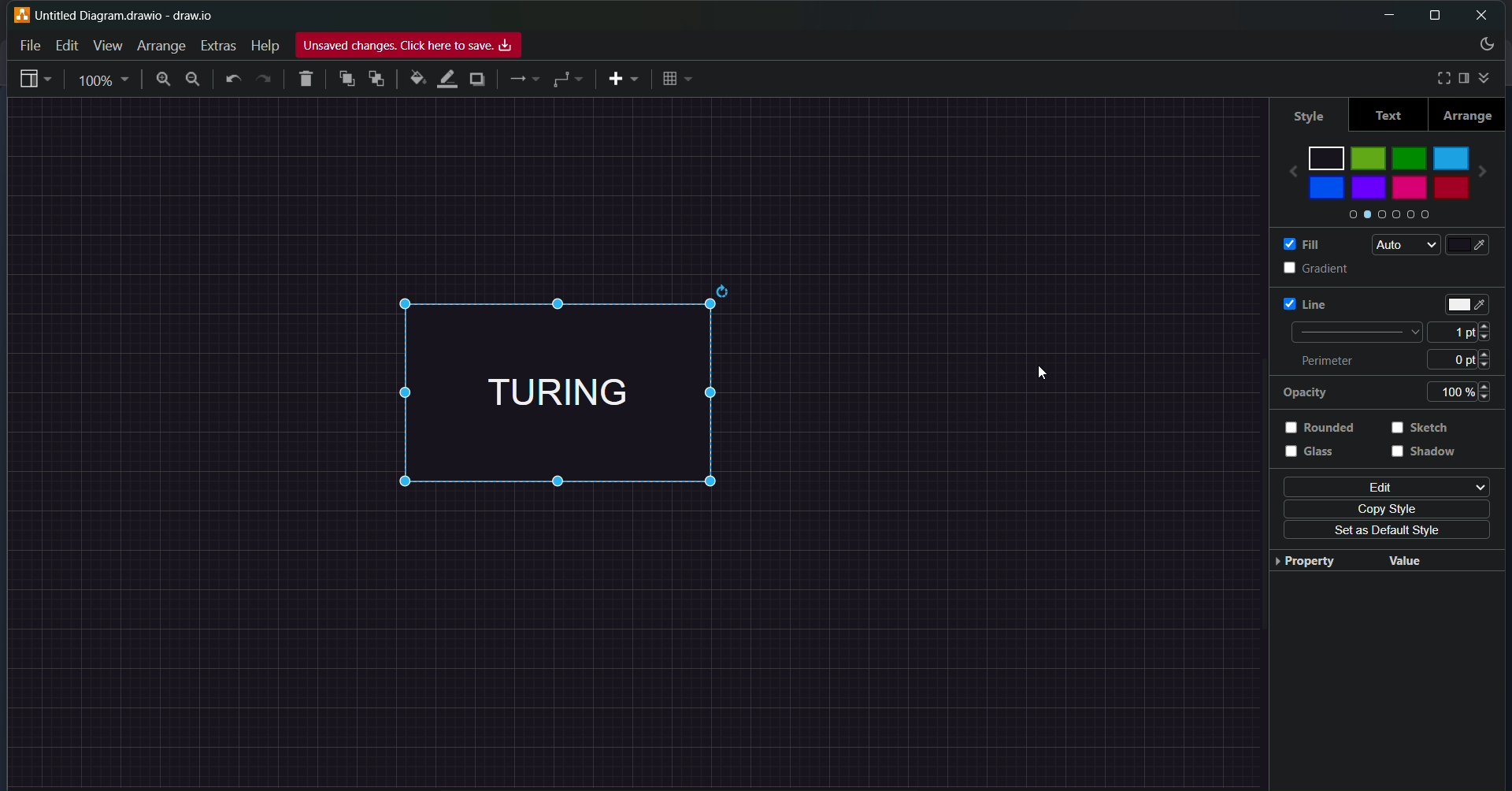 The width and height of the screenshot is (1512, 791). What do you see at coordinates (1437, 77) in the screenshot?
I see `fullscreen` at bounding box center [1437, 77].